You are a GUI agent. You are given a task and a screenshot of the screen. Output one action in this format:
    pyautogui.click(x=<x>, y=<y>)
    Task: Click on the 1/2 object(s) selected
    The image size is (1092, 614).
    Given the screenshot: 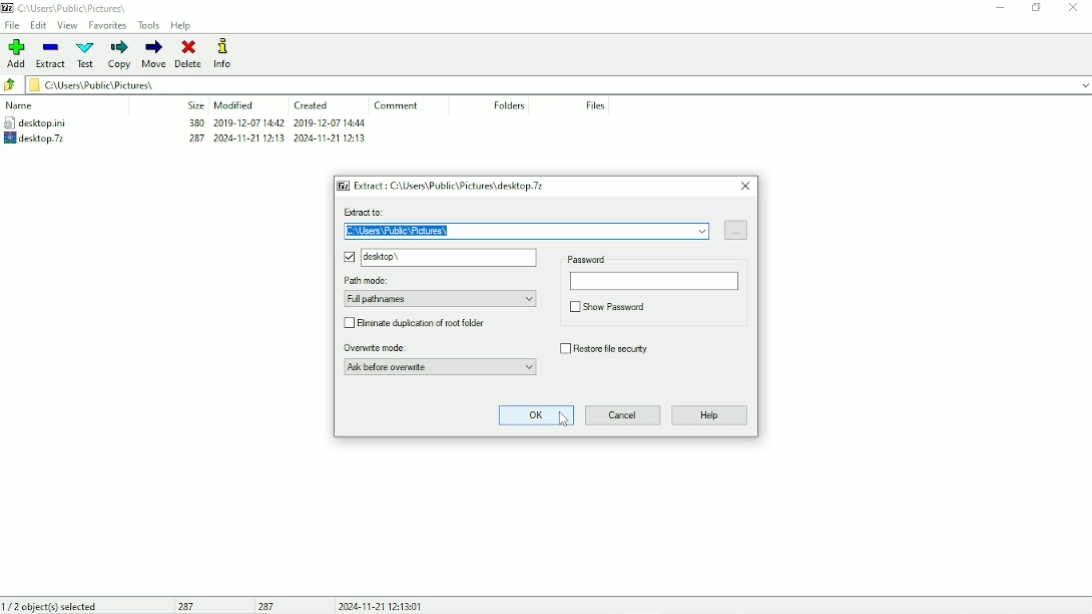 What is the action you would take?
    pyautogui.click(x=51, y=606)
    